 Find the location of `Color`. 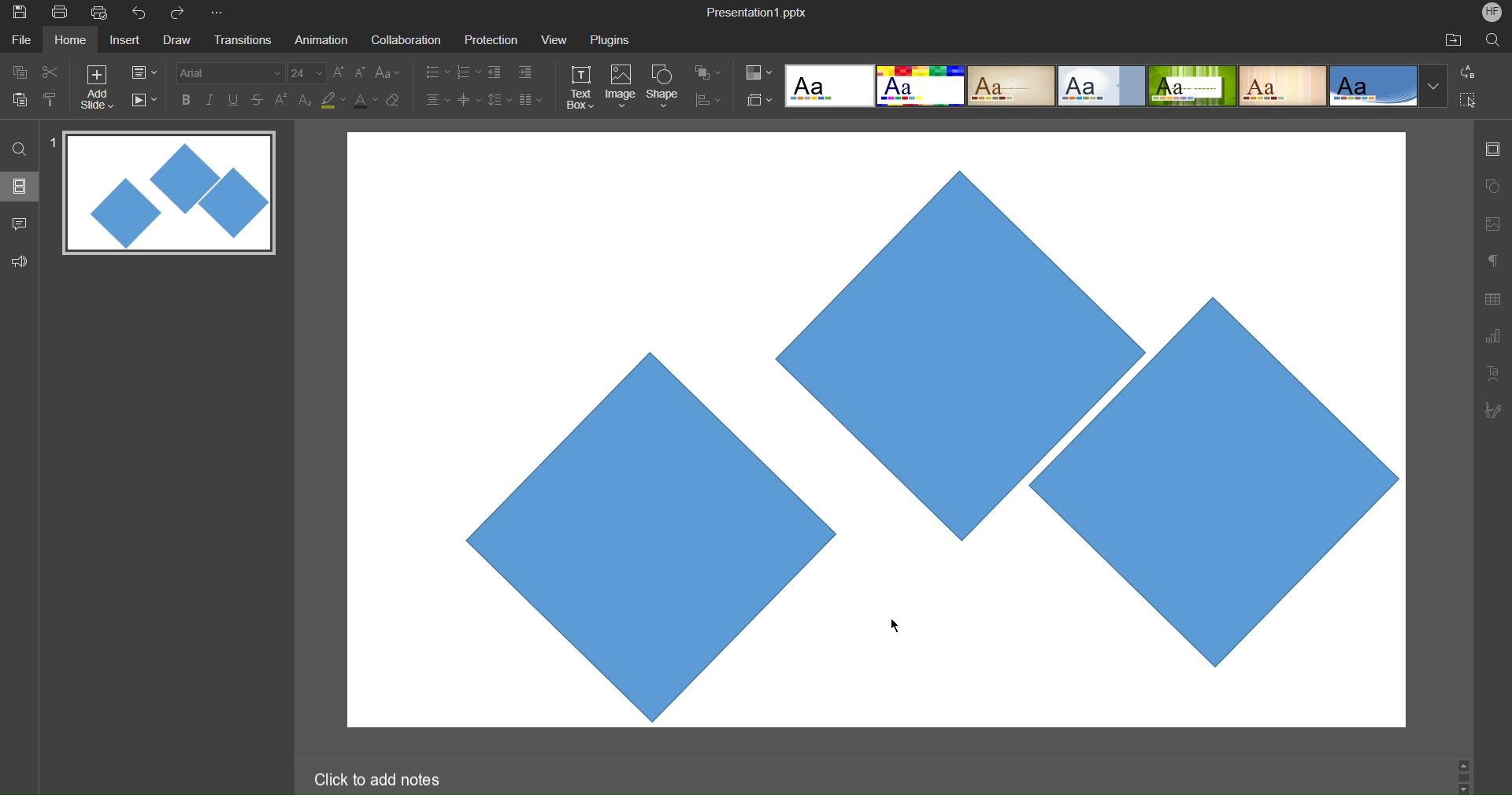

Color is located at coordinates (759, 72).